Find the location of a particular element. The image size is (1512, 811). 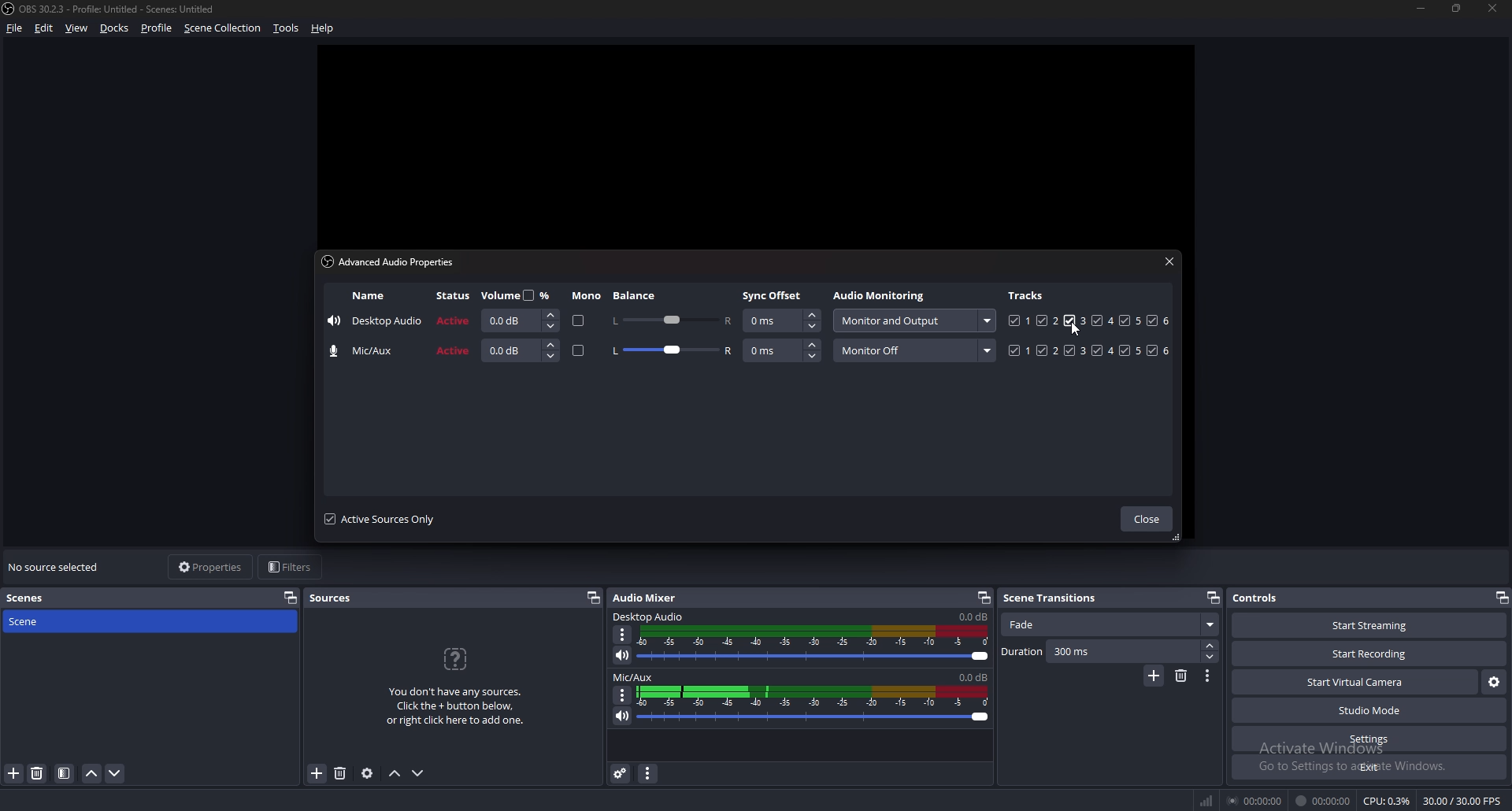

close is located at coordinates (1146, 520).